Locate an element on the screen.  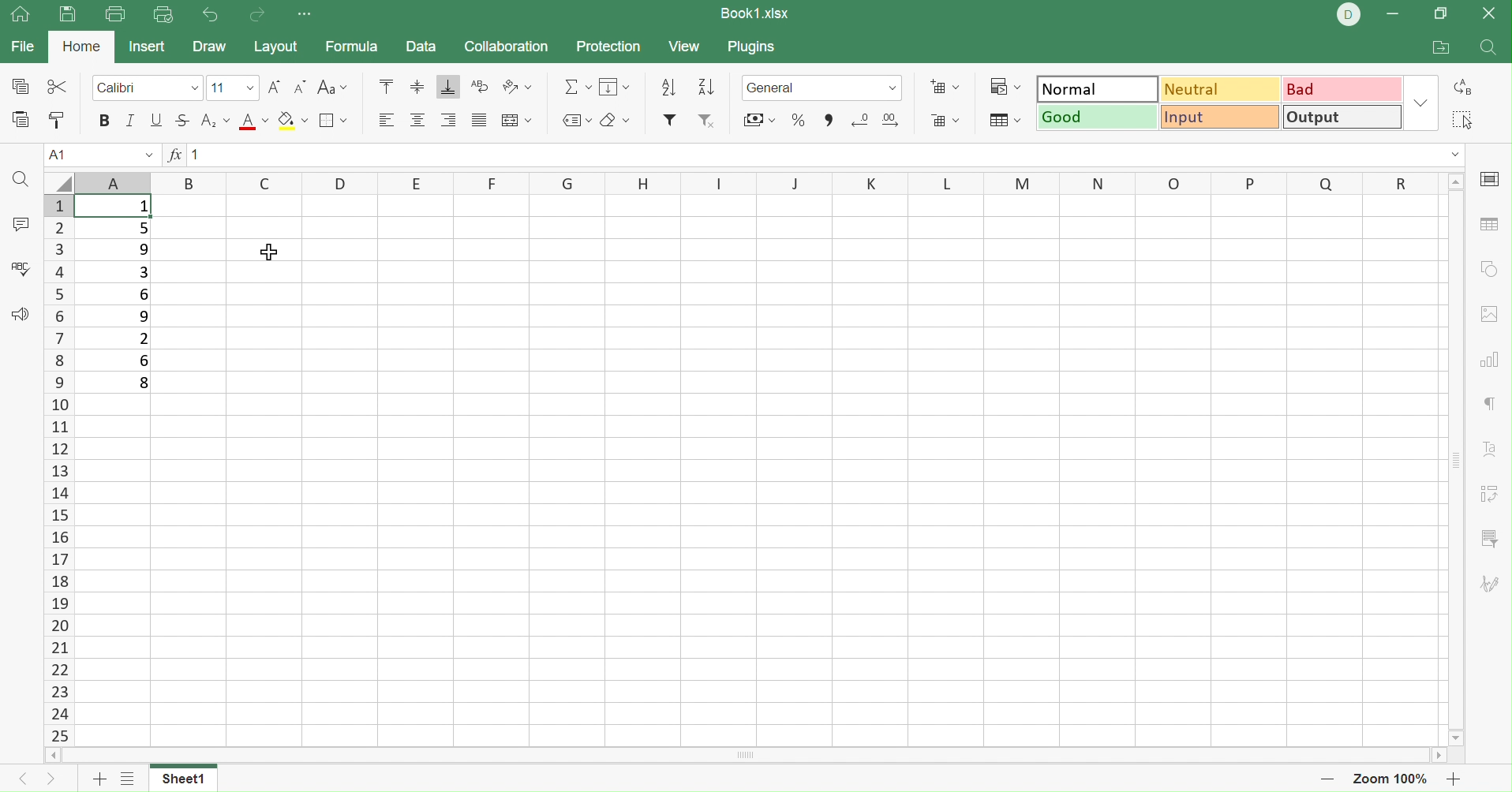
Previous is located at coordinates (17, 783).